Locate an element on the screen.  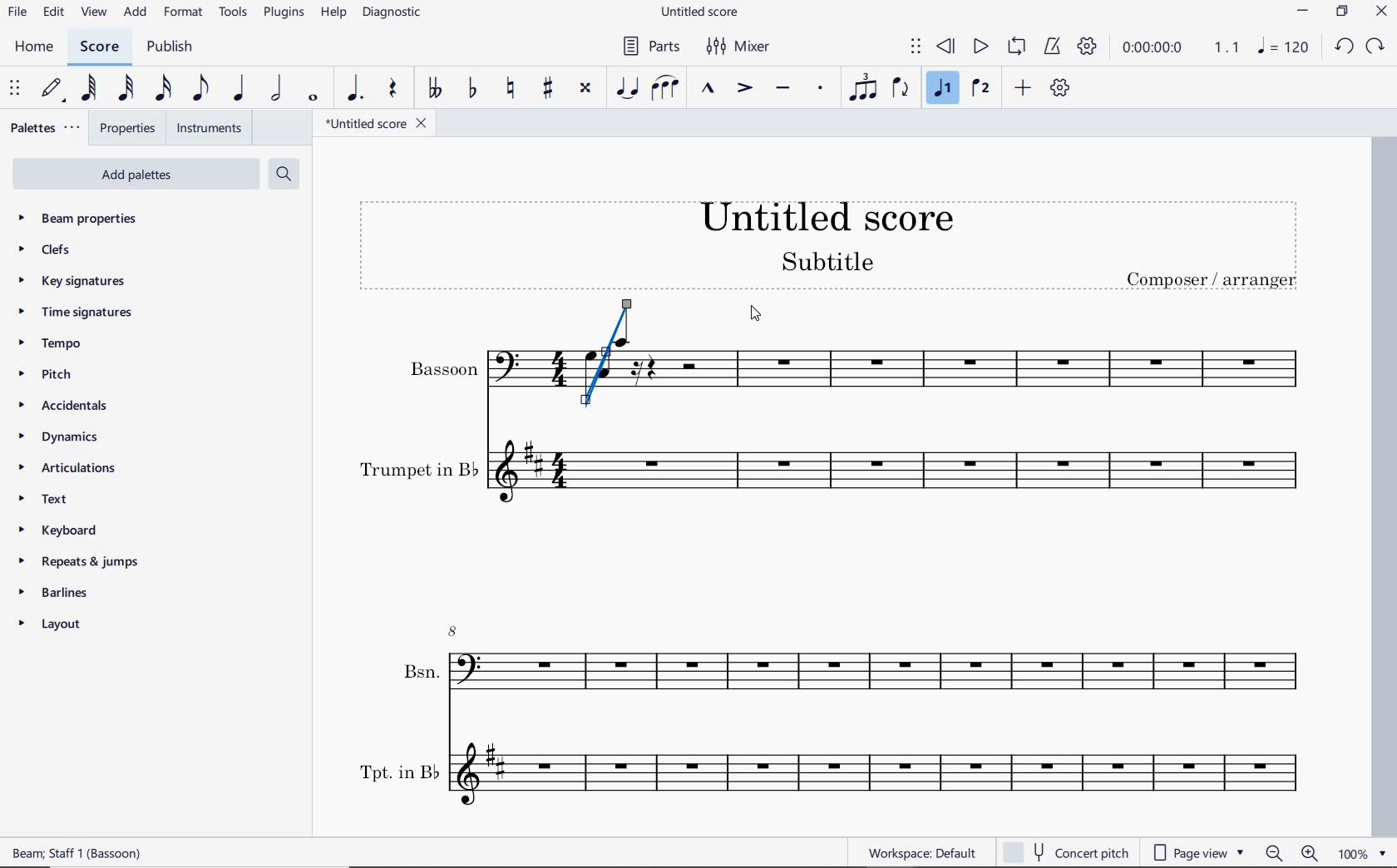
play is located at coordinates (980, 47).